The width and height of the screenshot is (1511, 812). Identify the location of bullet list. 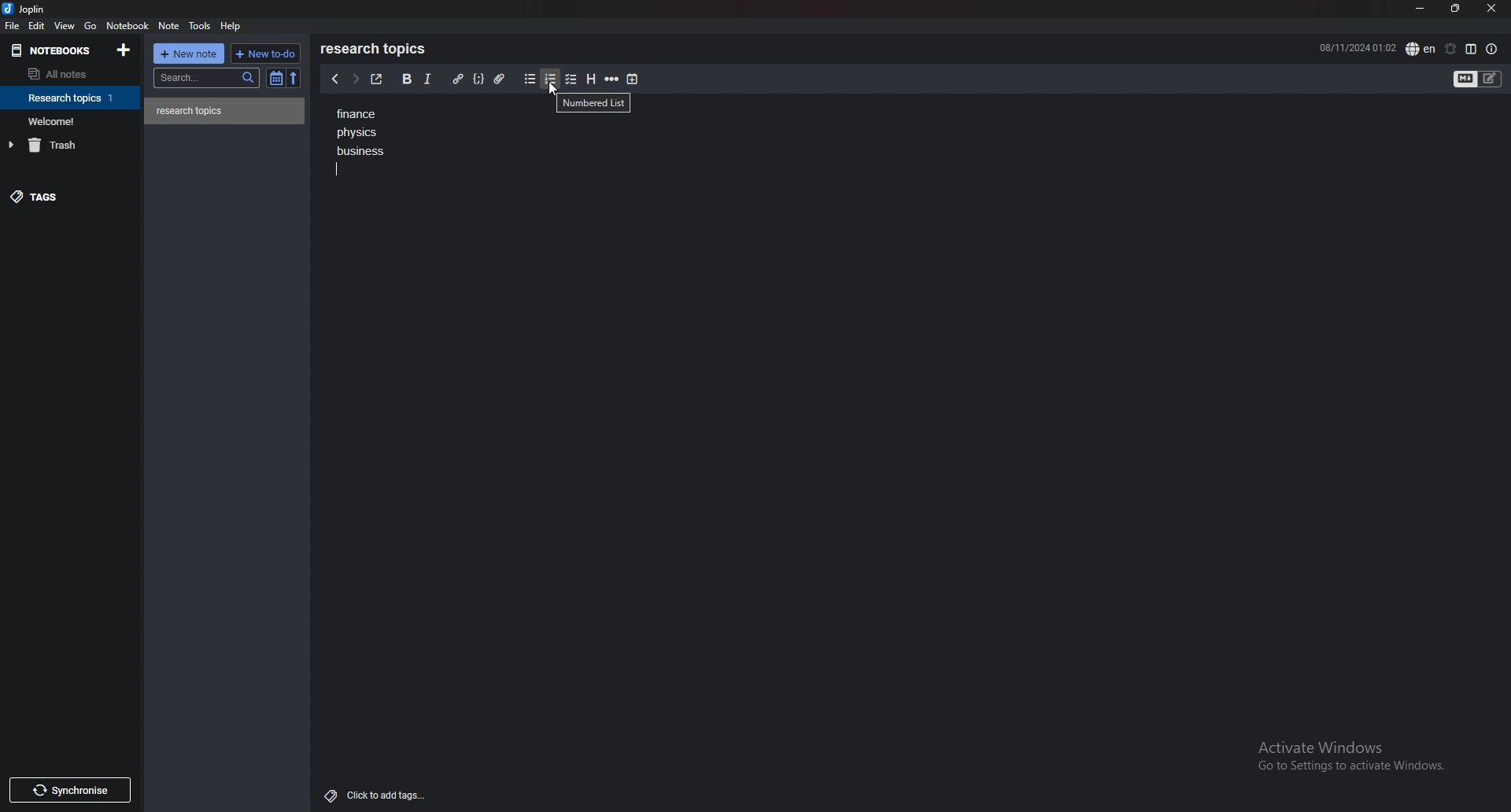
(530, 79).